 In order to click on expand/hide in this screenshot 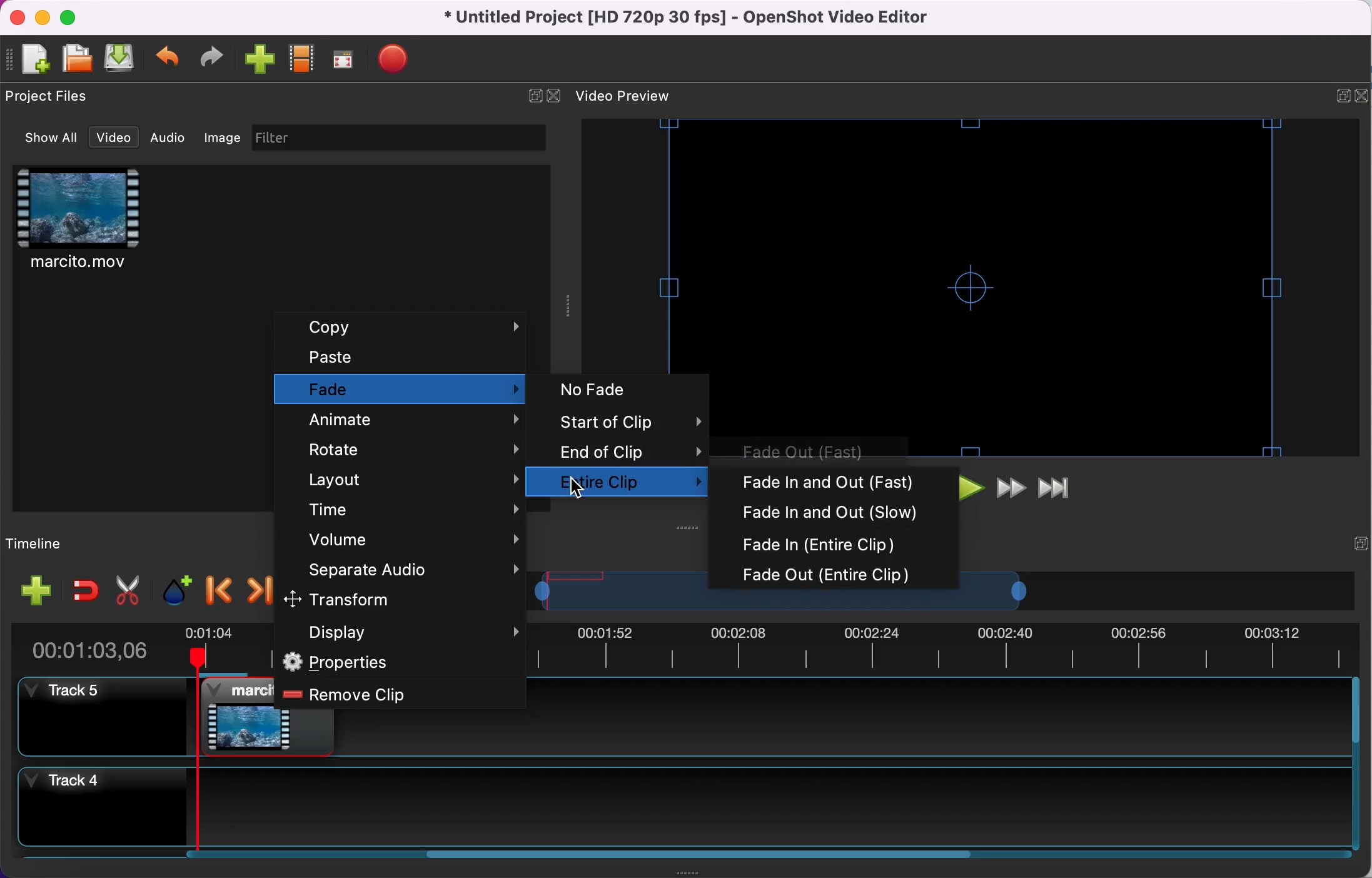, I will do `click(1321, 95)`.